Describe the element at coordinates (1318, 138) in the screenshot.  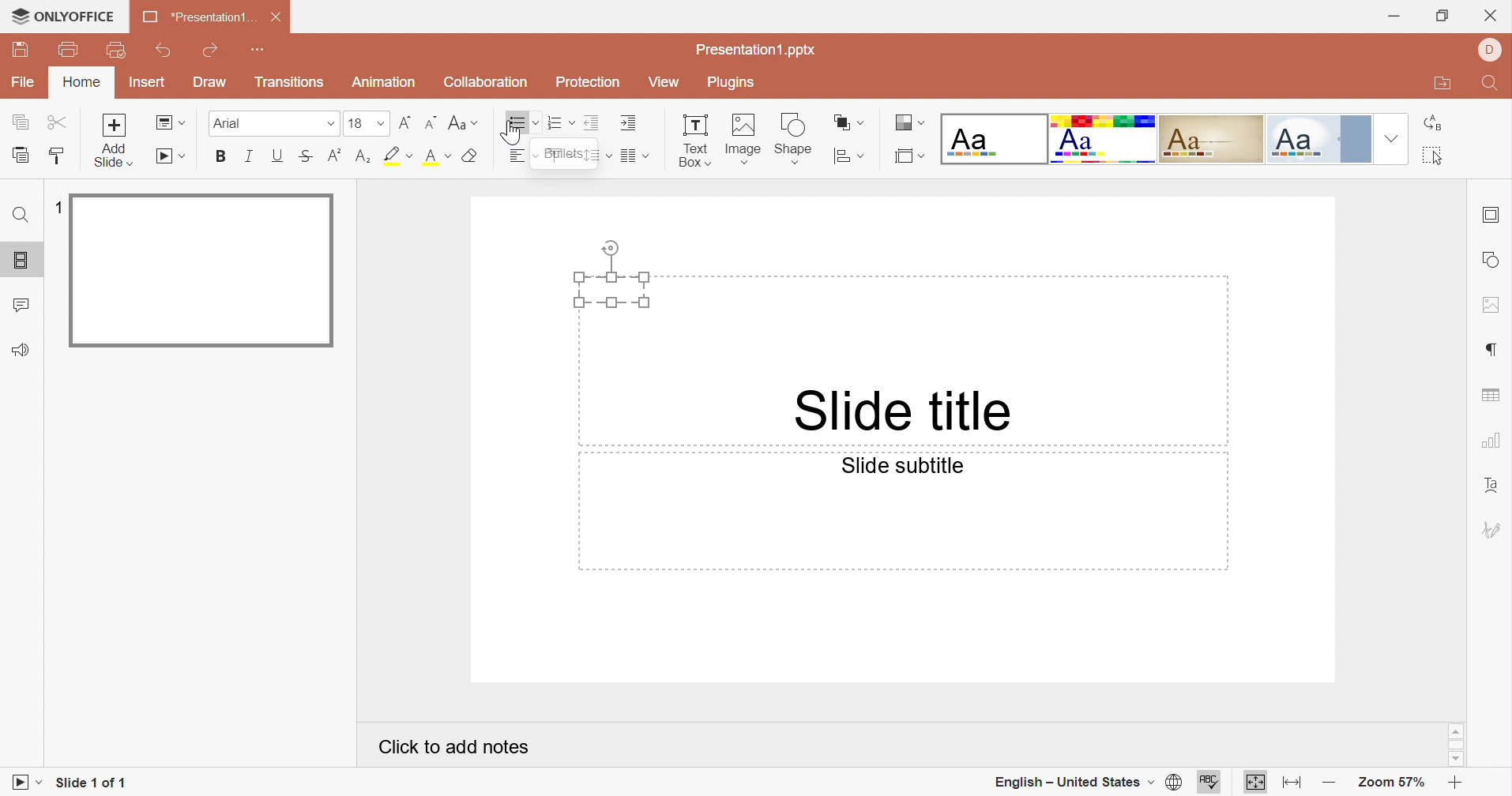
I see `Official` at that location.